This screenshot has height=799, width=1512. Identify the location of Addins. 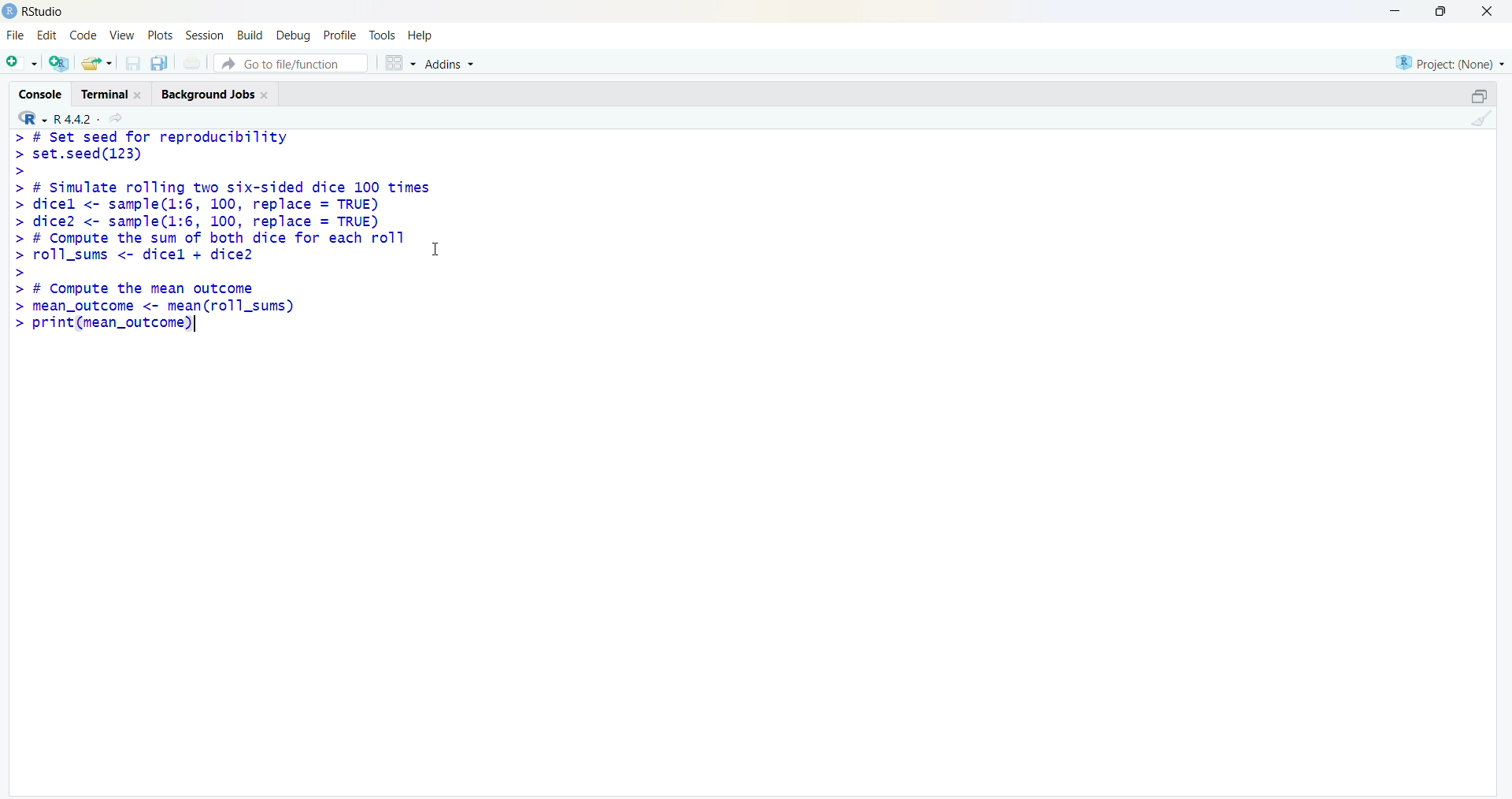
(451, 64).